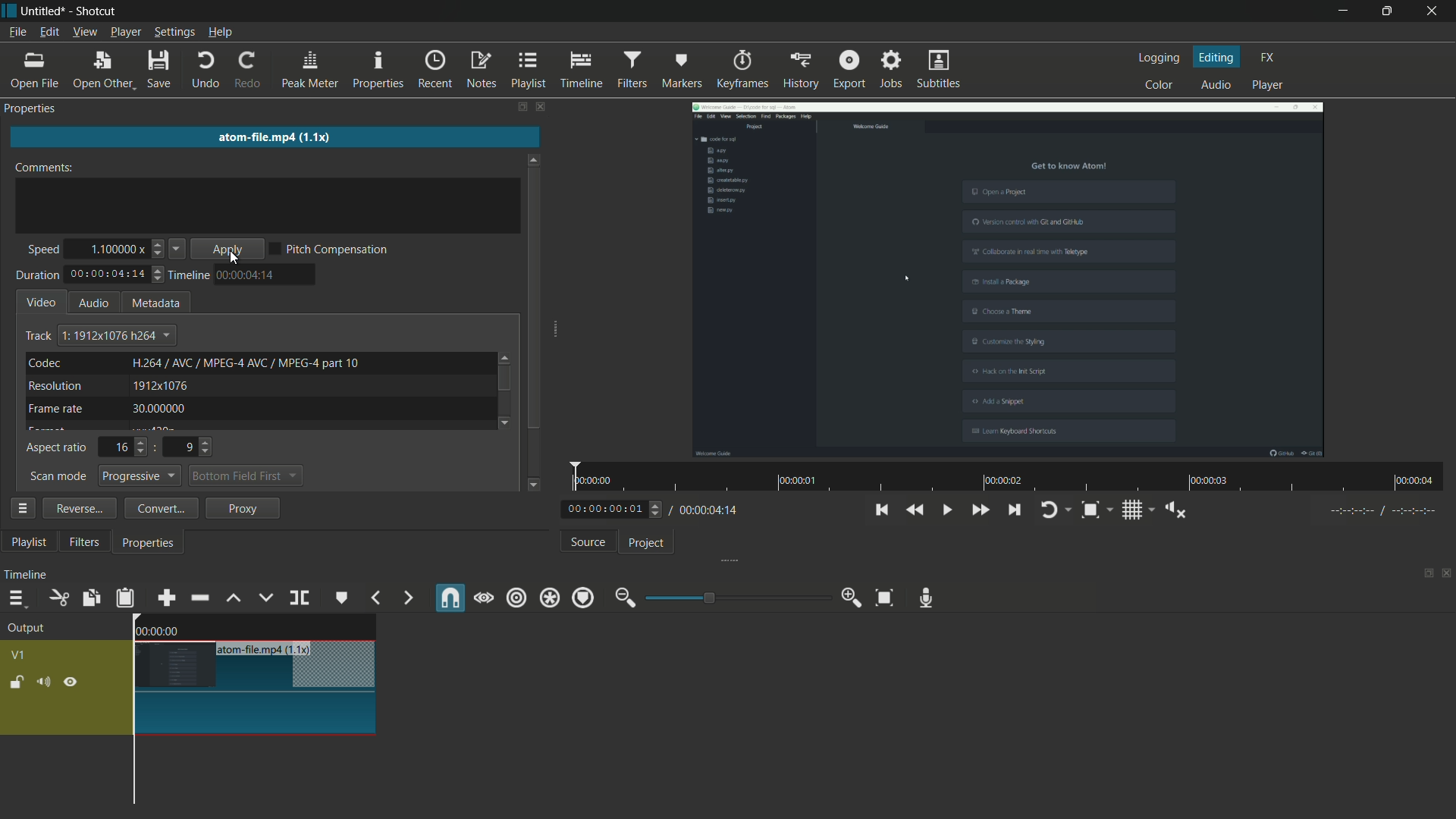 The height and width of the screenshot is (819, 1456). Describe the element at coordinates (246, 362) in the screenshot. I see `text` at that location.